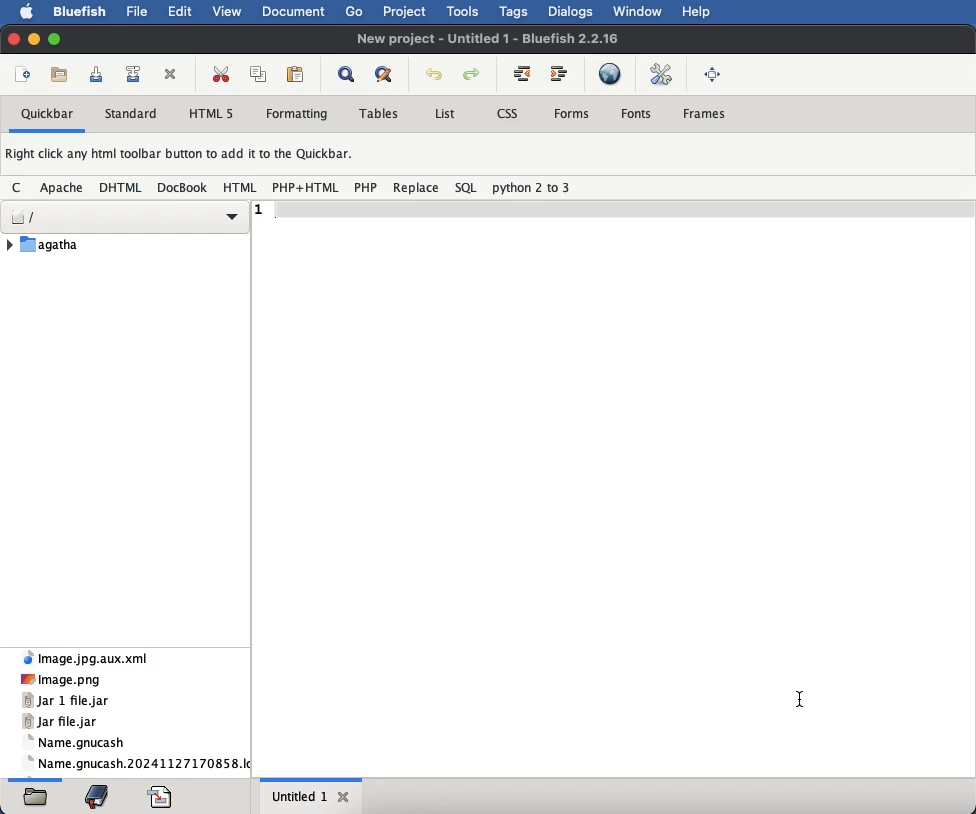 Image resolution: width=976 pixels, height=814 pixels. What do you see at coordinates (298, 115) in the screenshot?
I see `formatting` at bounding box center [298, 115].